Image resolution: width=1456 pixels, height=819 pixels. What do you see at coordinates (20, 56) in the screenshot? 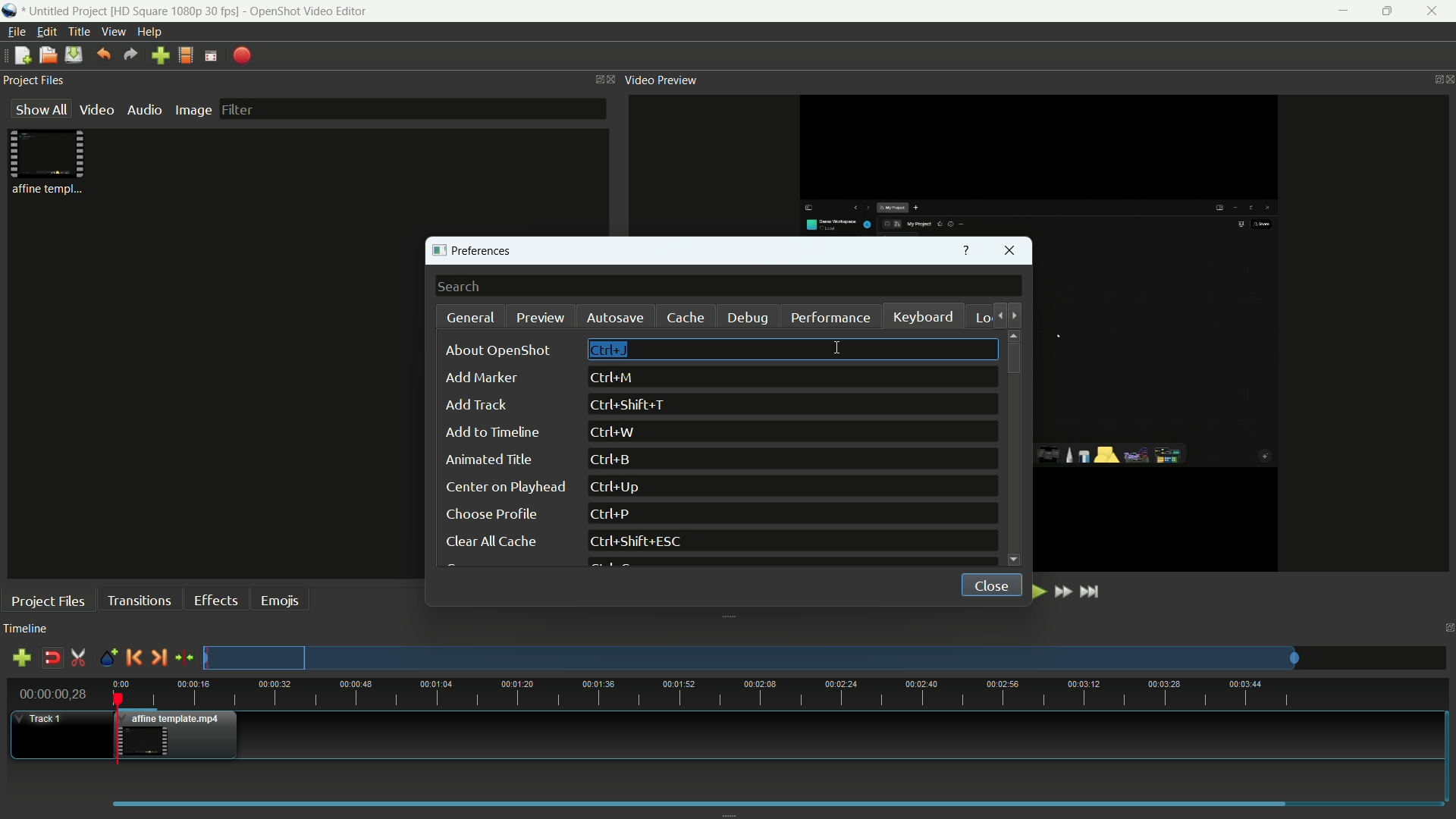
I see `new file` at bounding box center [20, 56].